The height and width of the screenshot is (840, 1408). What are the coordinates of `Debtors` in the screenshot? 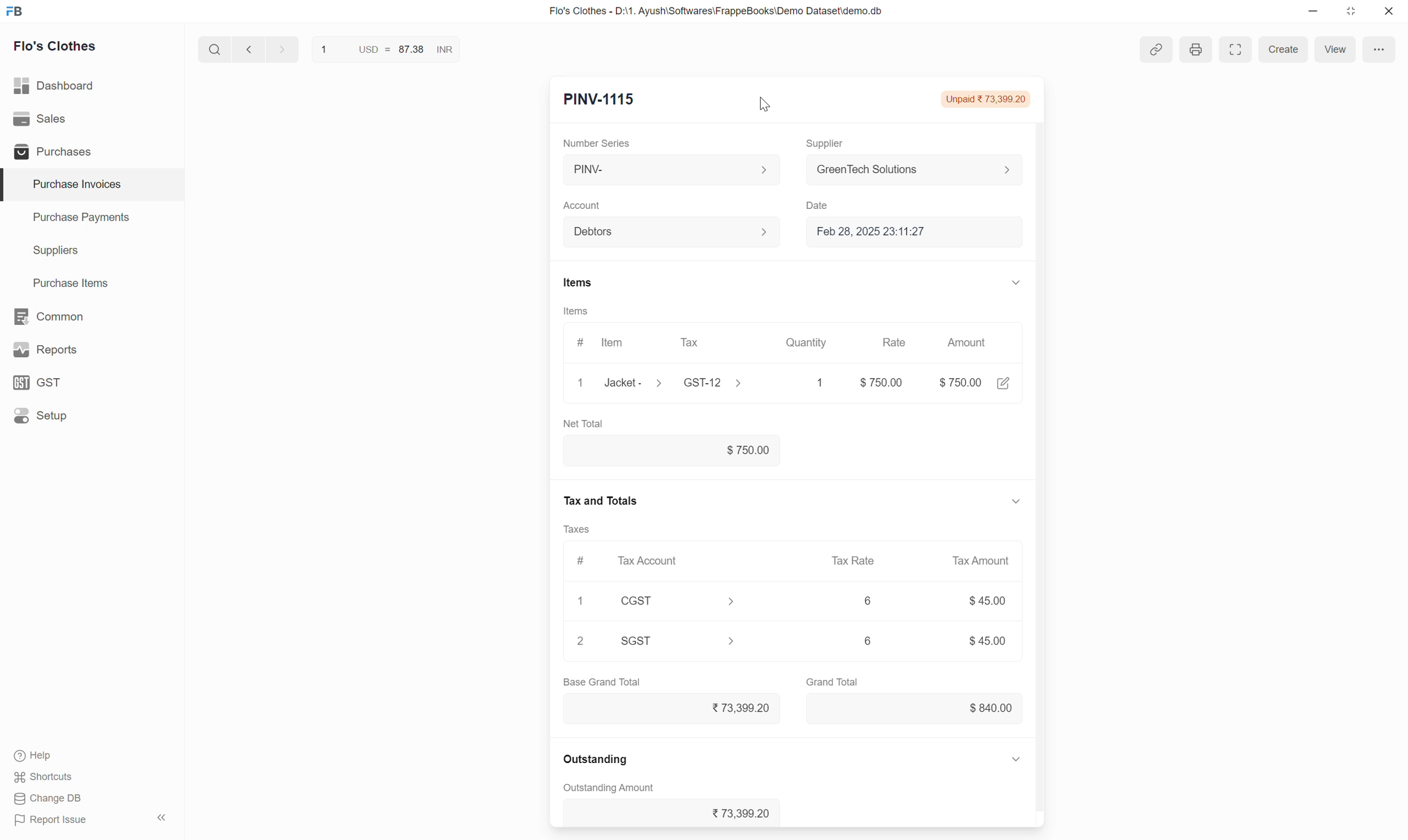 It's located at (660, 232).